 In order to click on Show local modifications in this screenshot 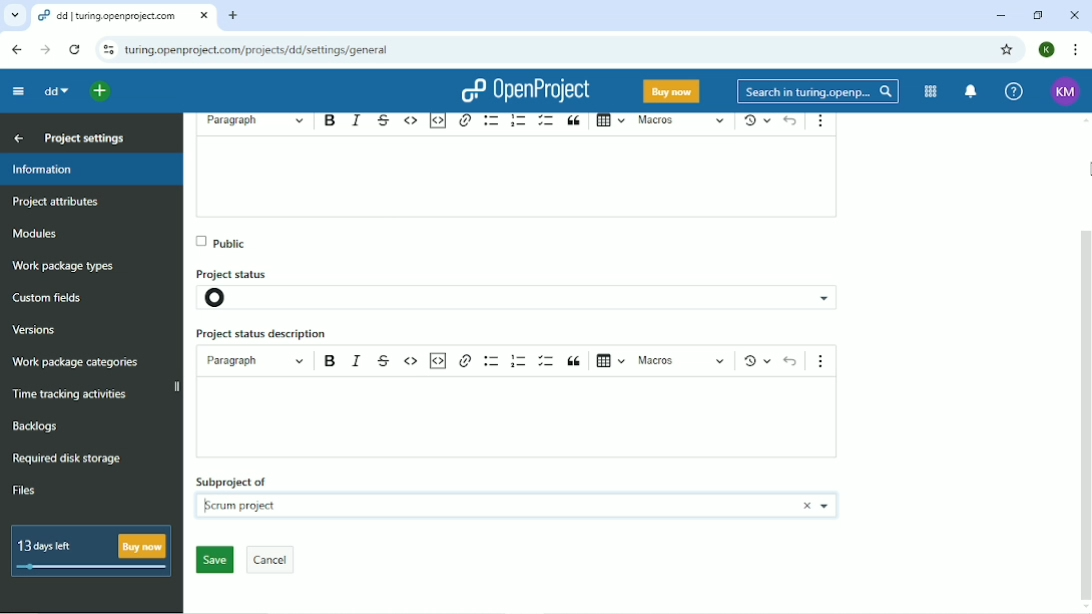, I will do `click(755, 121)`.